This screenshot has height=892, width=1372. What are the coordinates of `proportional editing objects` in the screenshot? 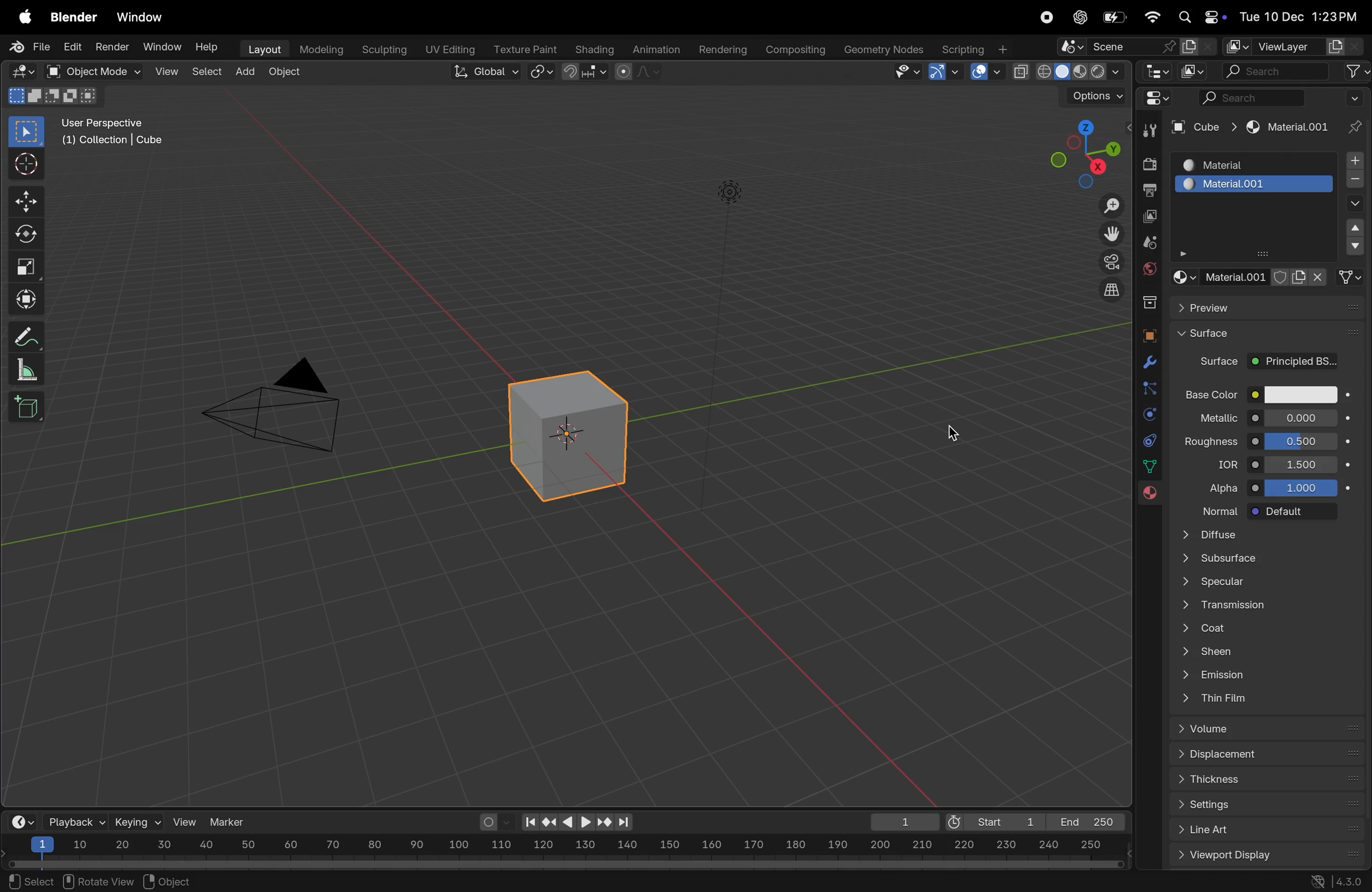 It's located at (640, 73).